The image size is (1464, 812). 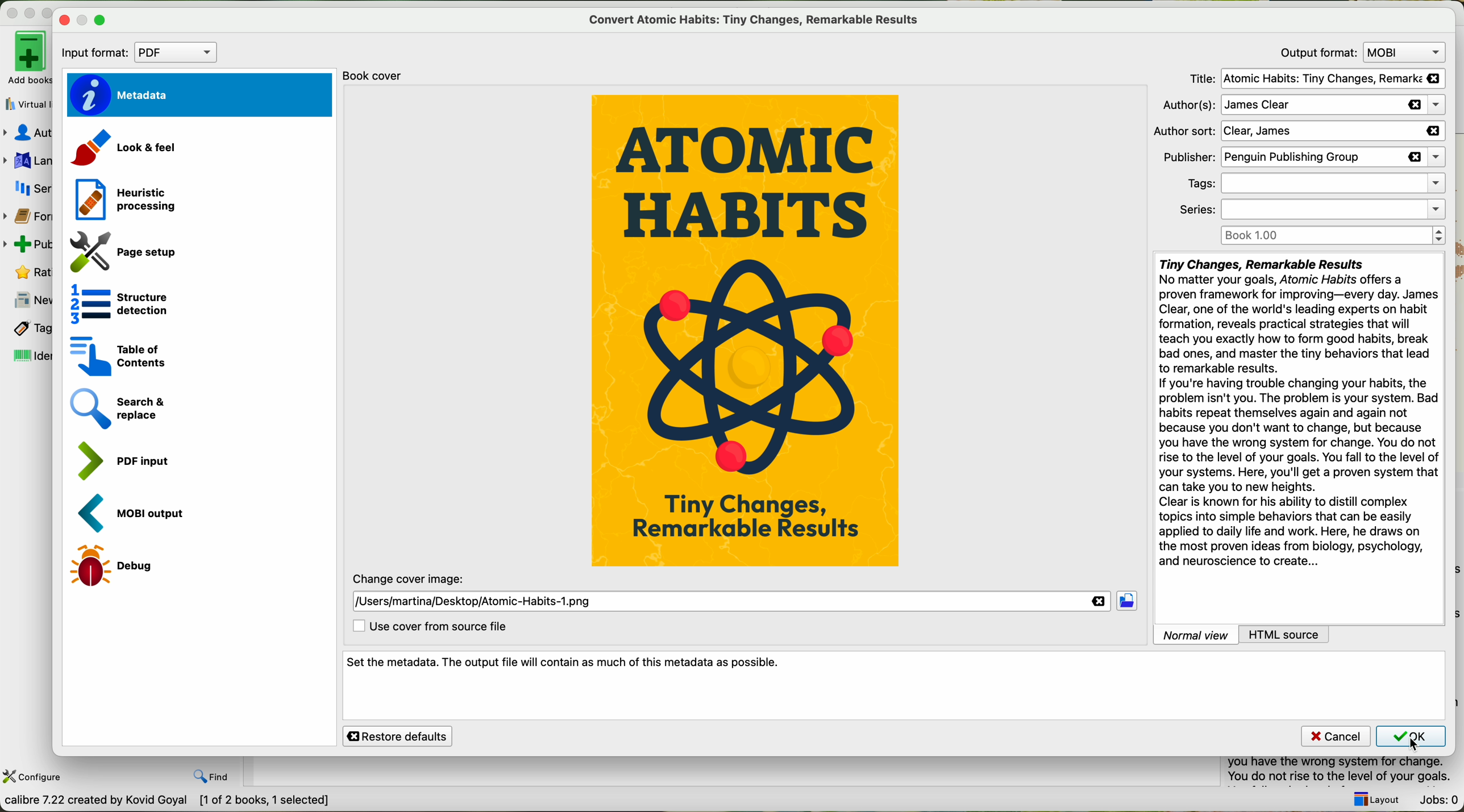 What do you see at coordinates (895, 686) in the screenshot?
I see `set the metadata` at bounding box center [895, 686].